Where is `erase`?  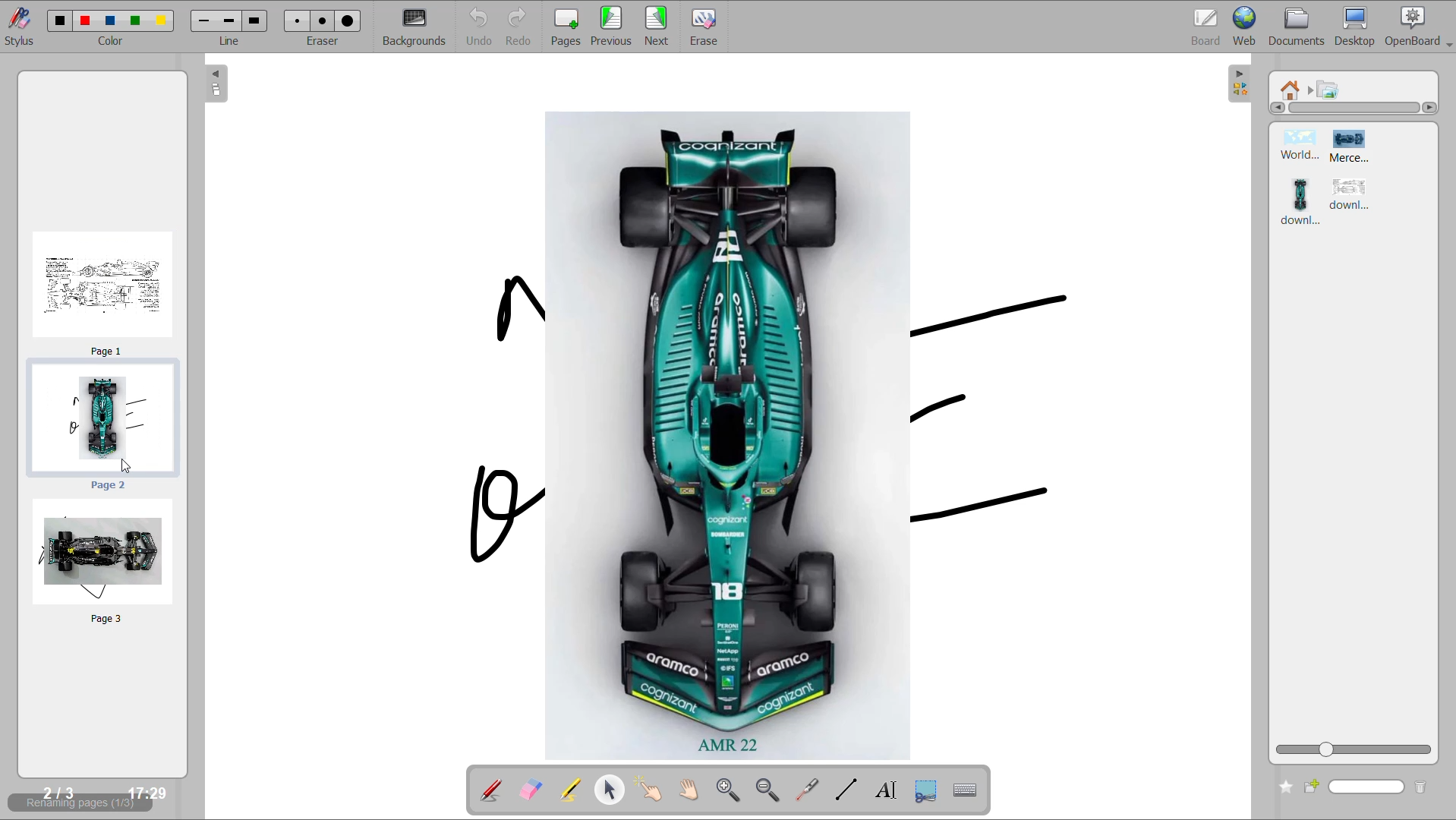 erase is located at coordinates (705, 26).